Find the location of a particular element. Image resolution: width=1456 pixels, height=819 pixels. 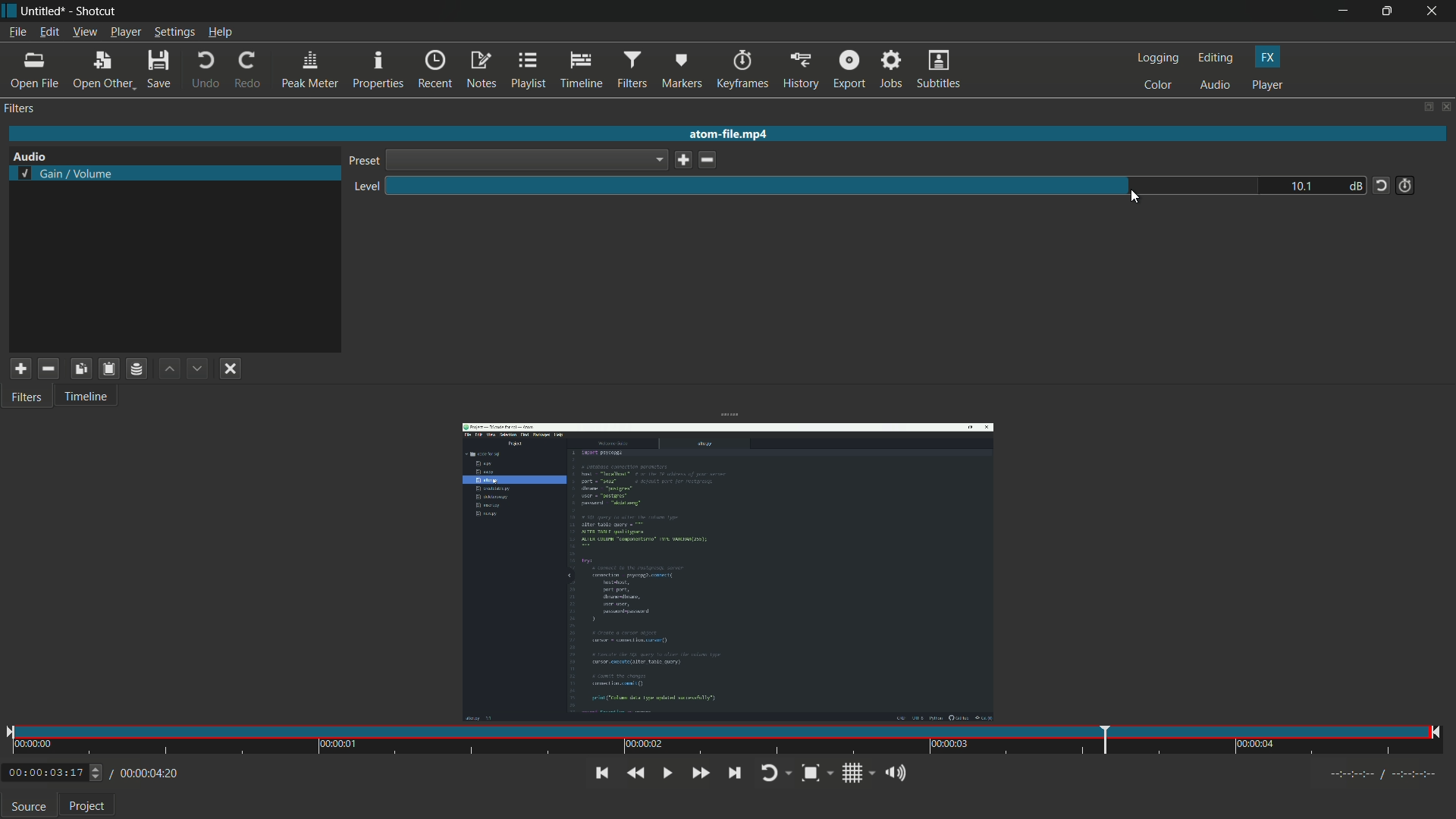

dropdown is located at coordinates (526, 160).